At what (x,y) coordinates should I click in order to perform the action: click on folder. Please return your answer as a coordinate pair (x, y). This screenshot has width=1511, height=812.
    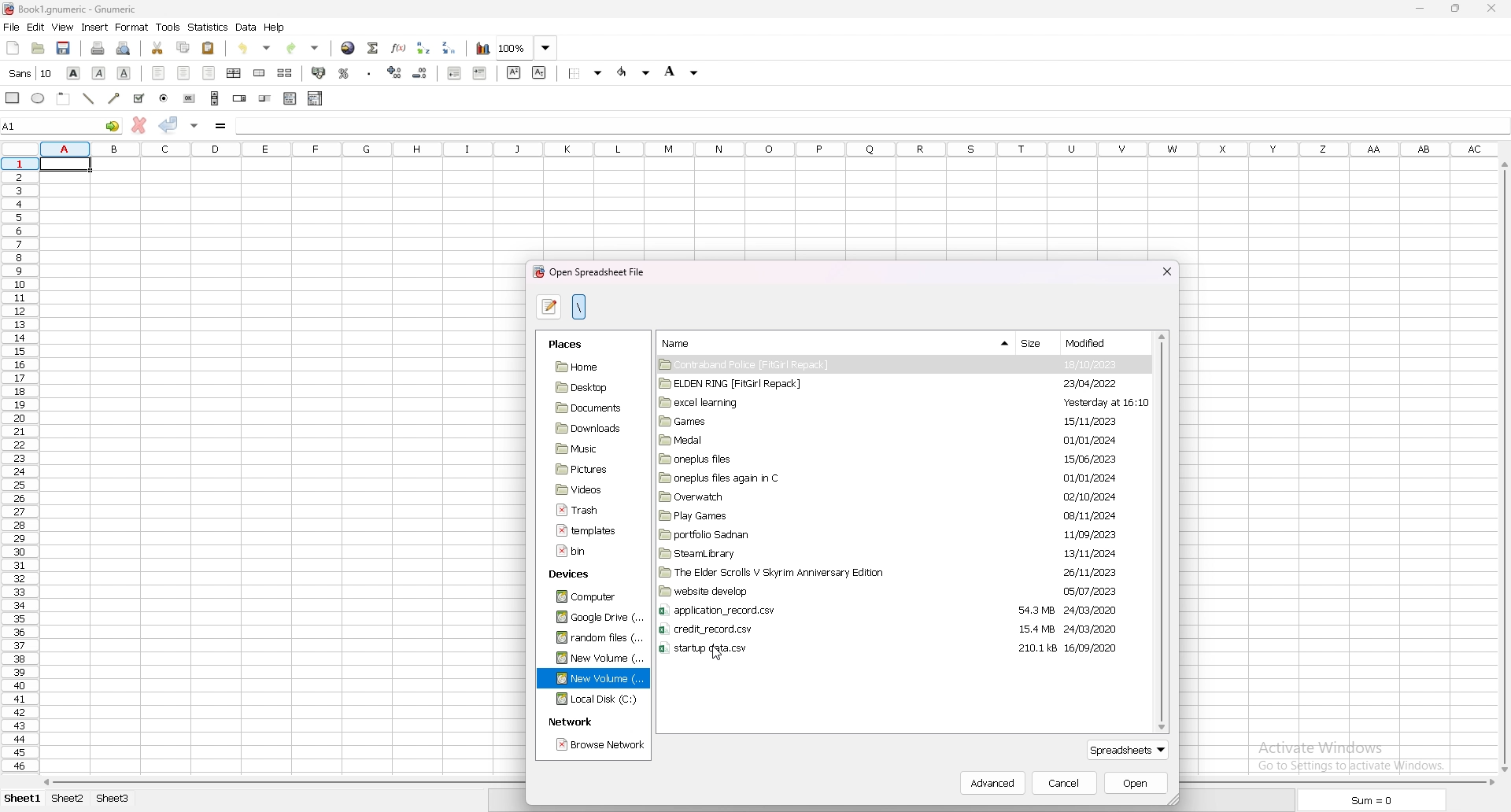
    Looking at the image, I should click on (588, 387).